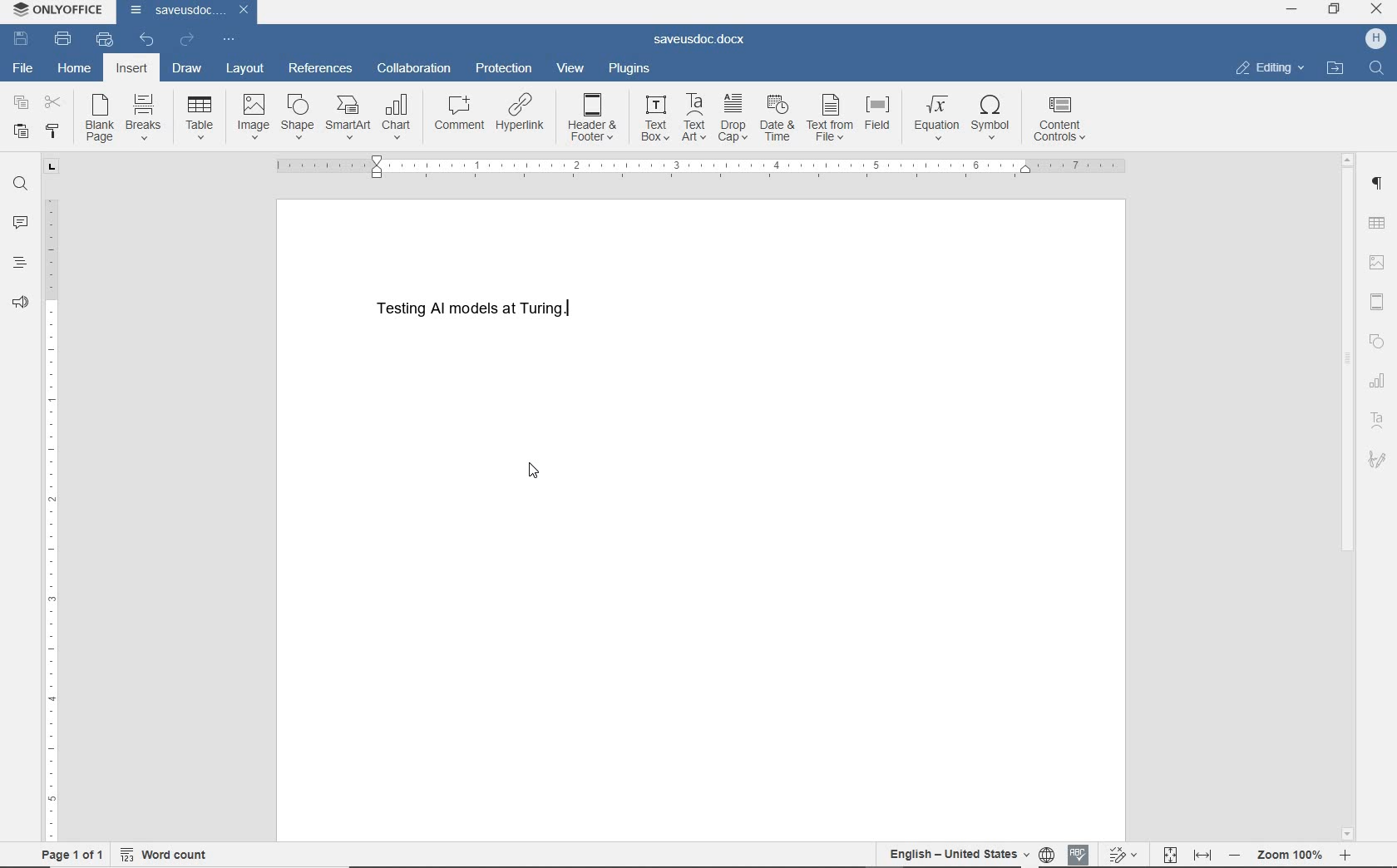  I want to click on ruler, so click(701, 168).